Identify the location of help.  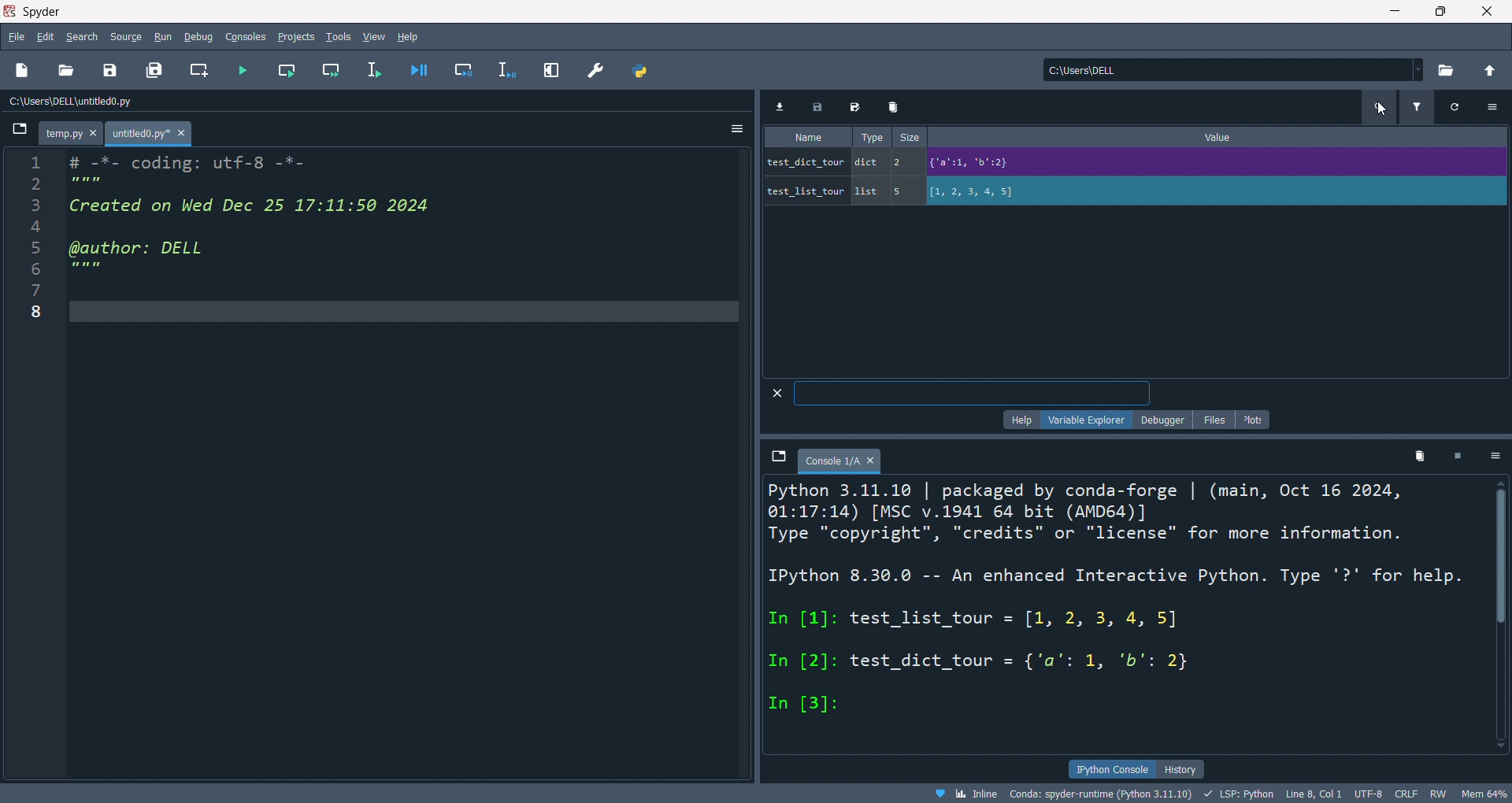
(413, 37).